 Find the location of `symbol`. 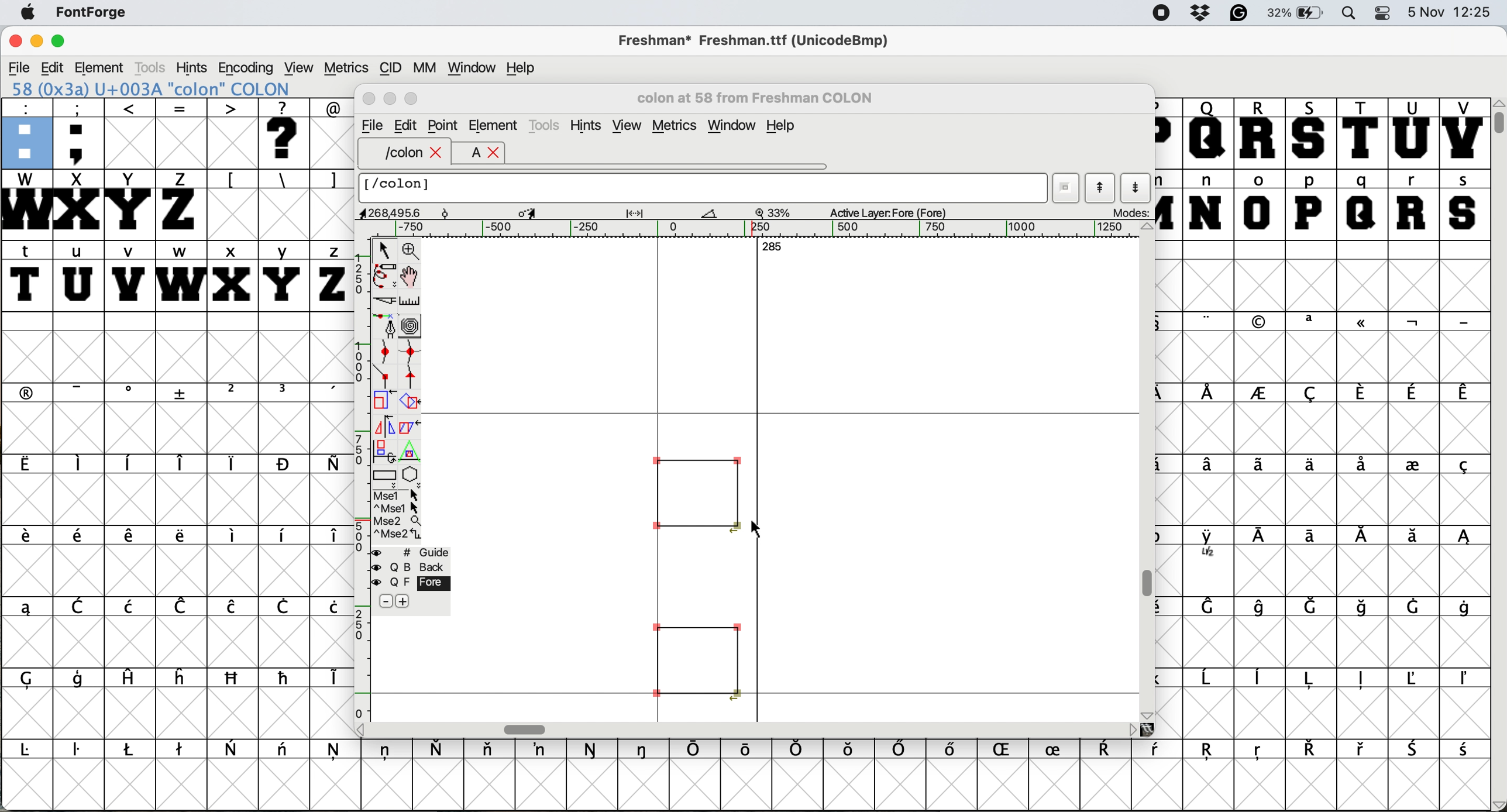

symbol is located at coordinates (593, 749).